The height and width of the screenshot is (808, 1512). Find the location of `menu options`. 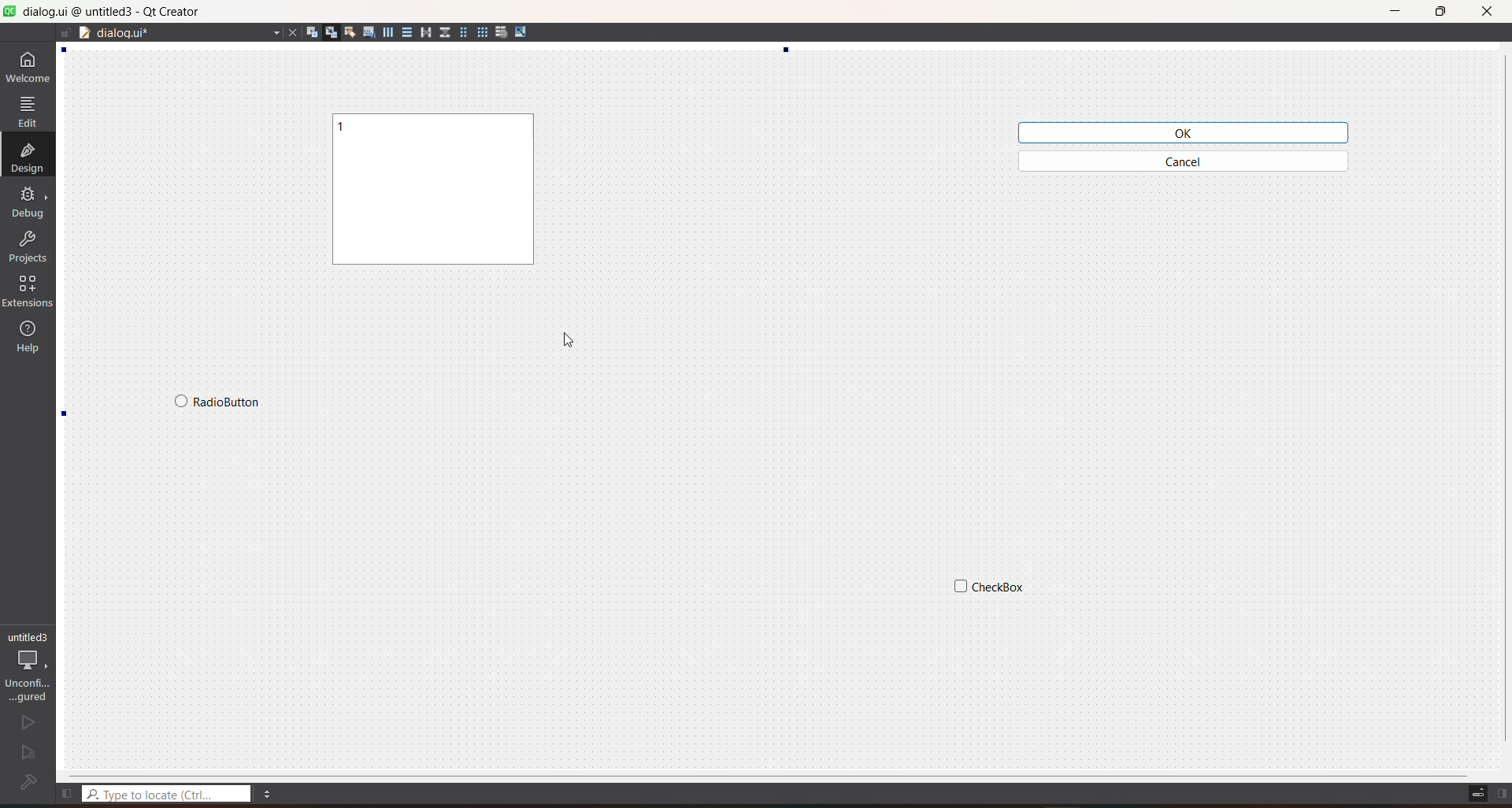

menu options is located at coordinates (272, 795).